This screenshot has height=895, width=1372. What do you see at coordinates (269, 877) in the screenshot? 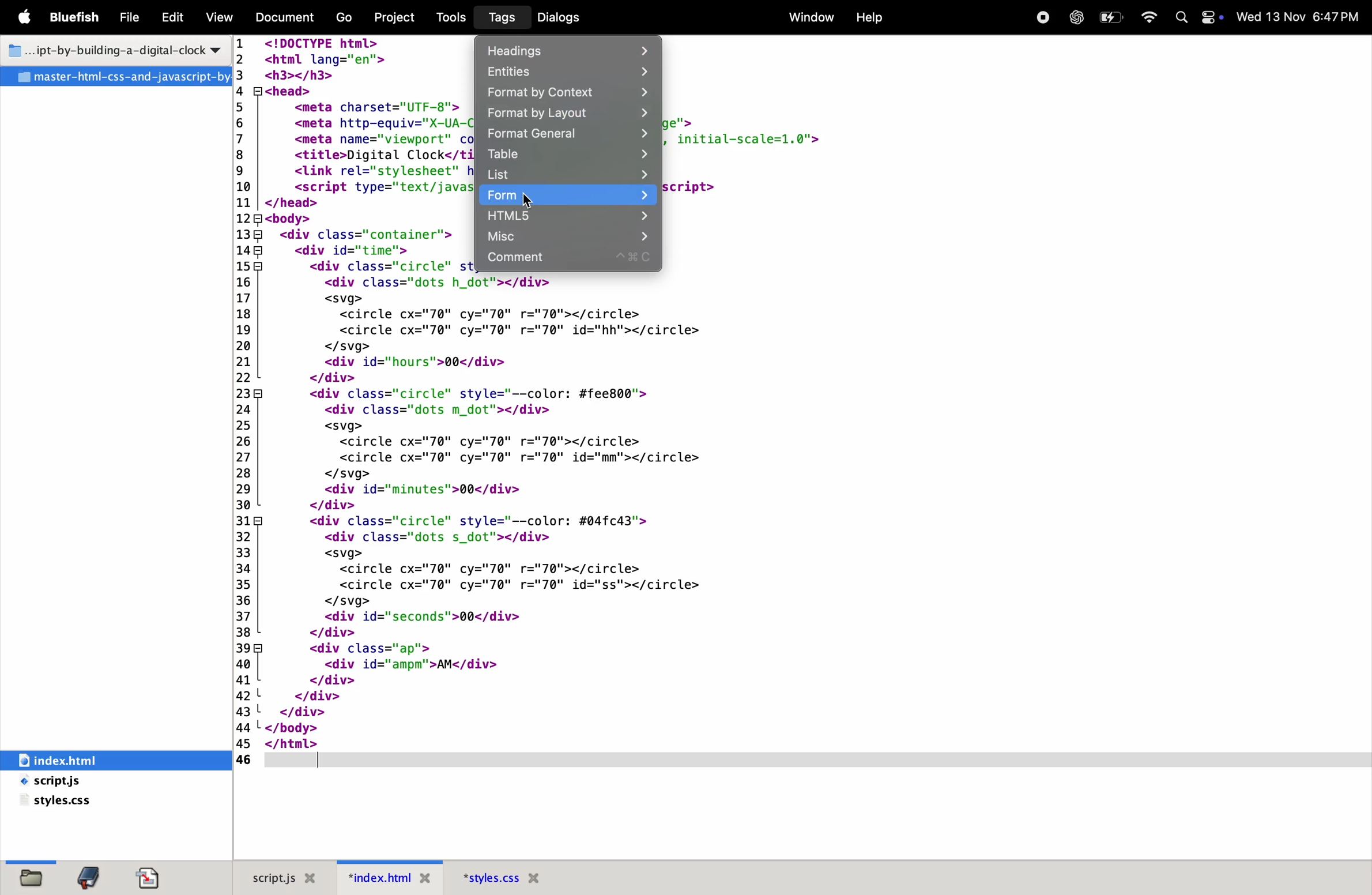
I see `script.js` at bounding box center [269, 877].